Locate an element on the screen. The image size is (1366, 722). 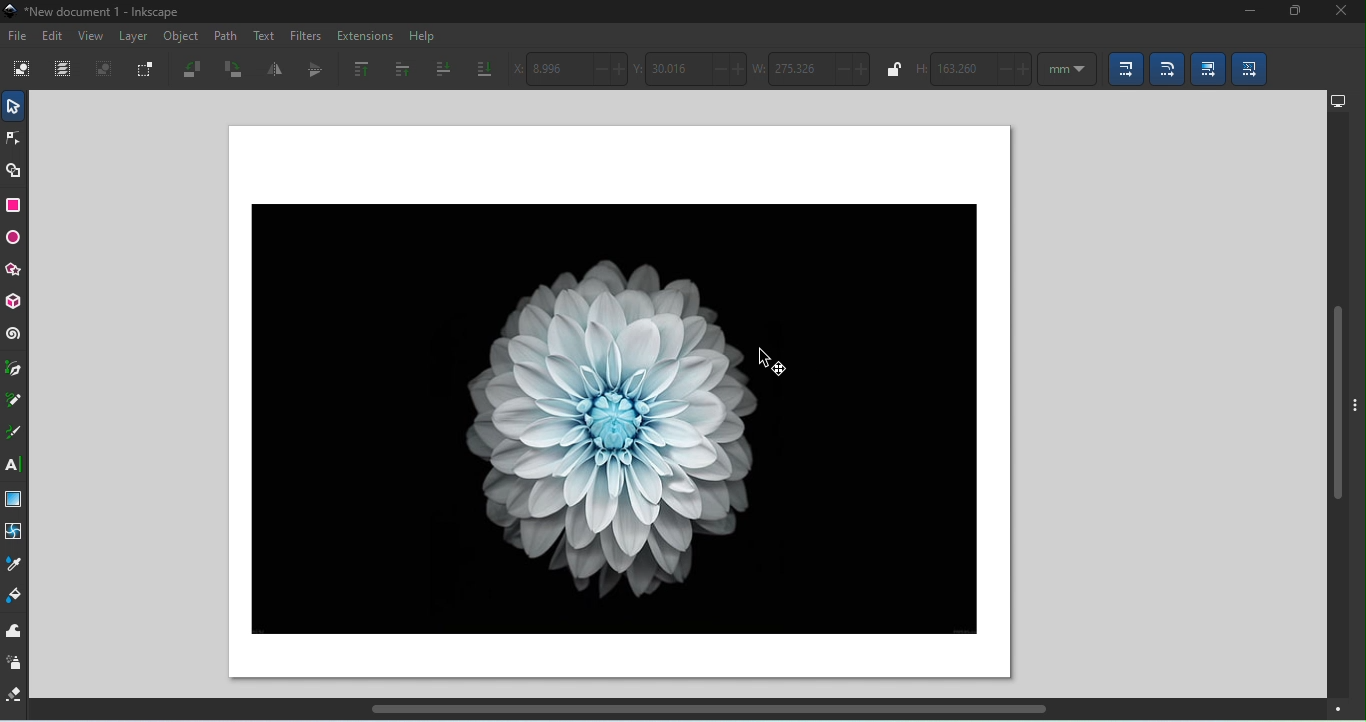
Height of the selection is located at coordinates (973, 70).